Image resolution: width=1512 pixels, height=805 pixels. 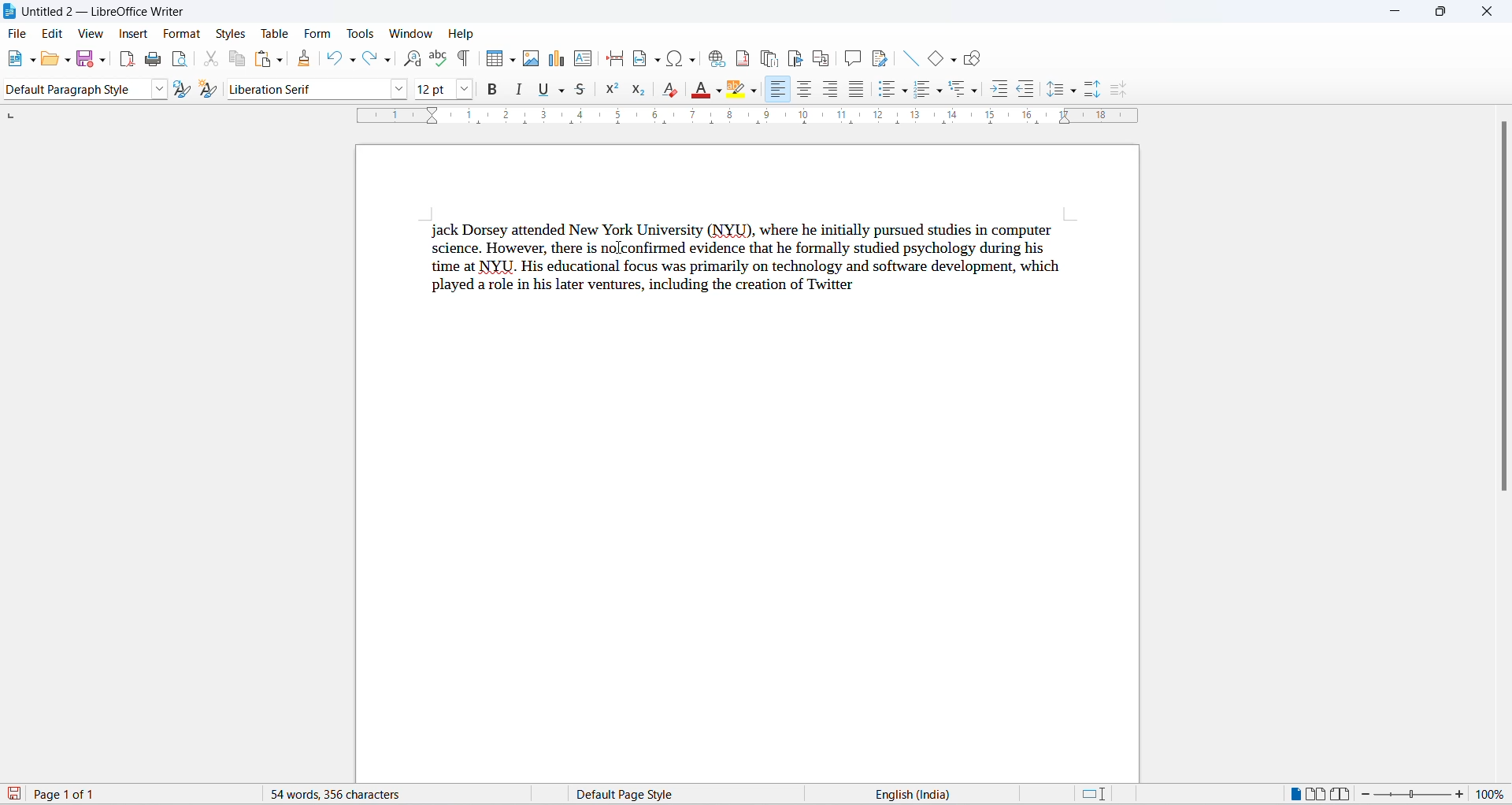 I want to click on basic shapes options, so click(x=954, y=61).